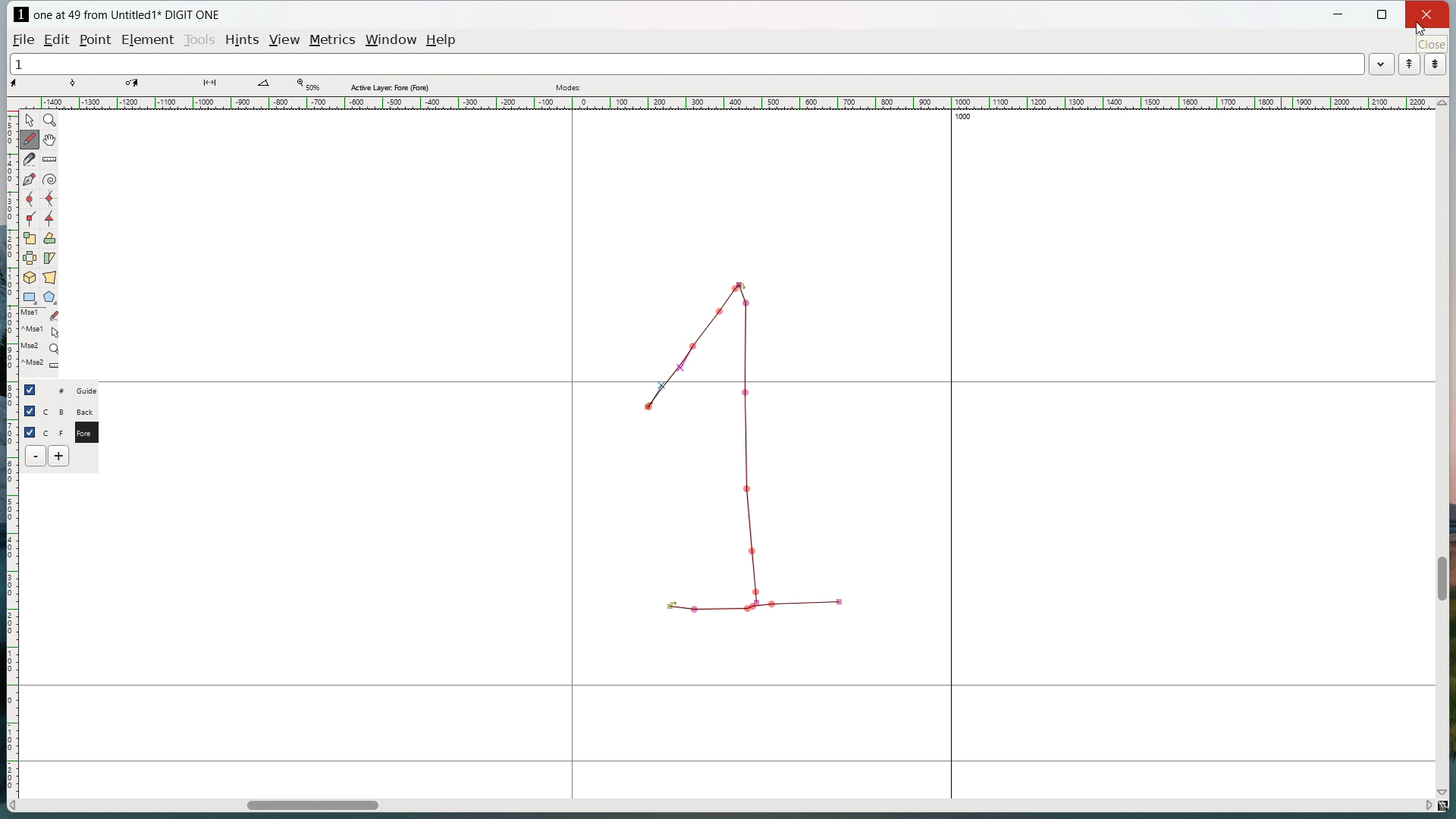 This screenshot has width=1456, height=819. What do you see at coordinates (30, 179) in the screenshot?
I see `add a point then drag out its control points` at bounding box center [30, 179].